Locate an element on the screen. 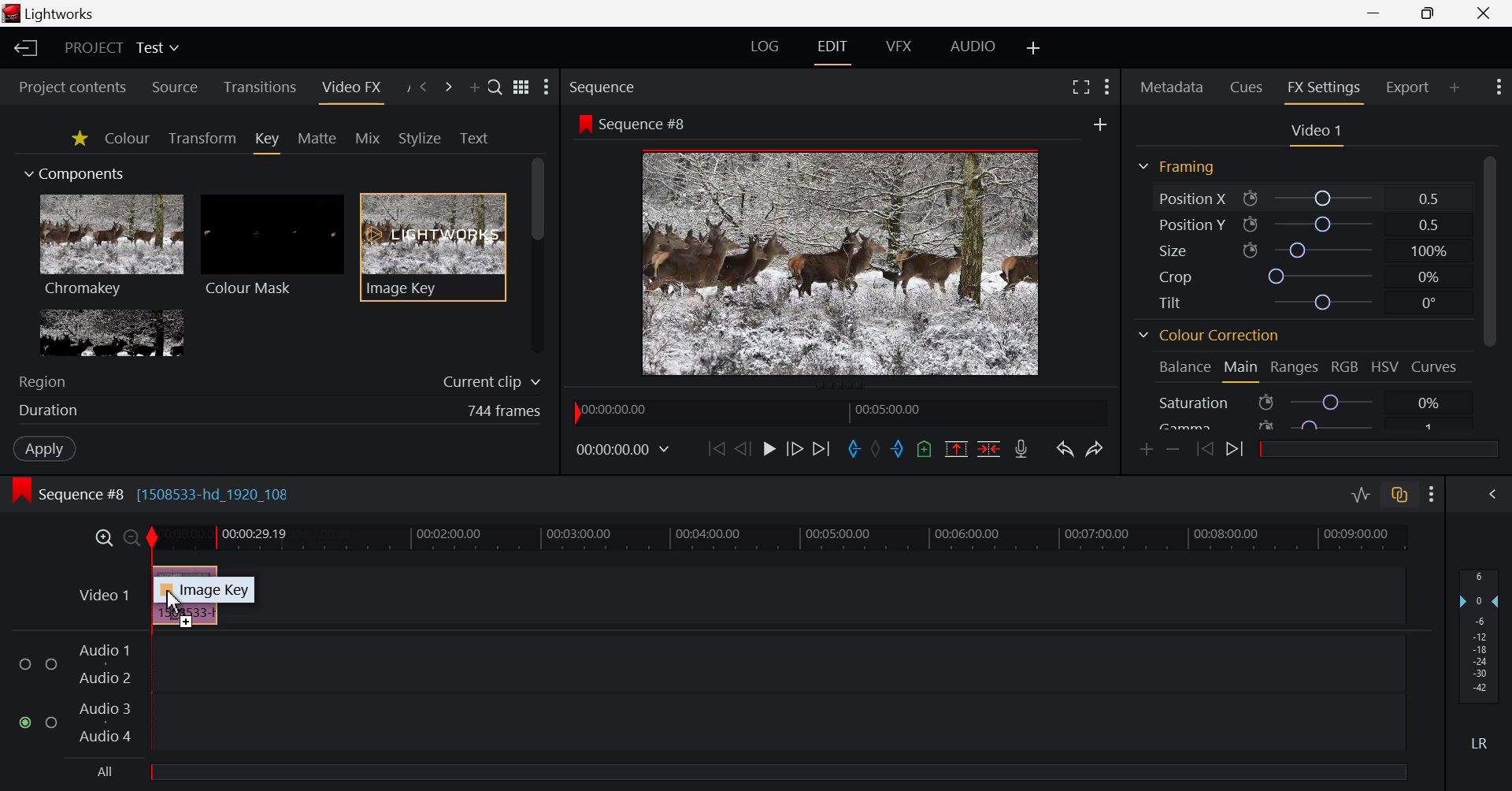 The width and height of the screenshot is (1512, 791). Audio 1 is located at coordinates (104, 650).